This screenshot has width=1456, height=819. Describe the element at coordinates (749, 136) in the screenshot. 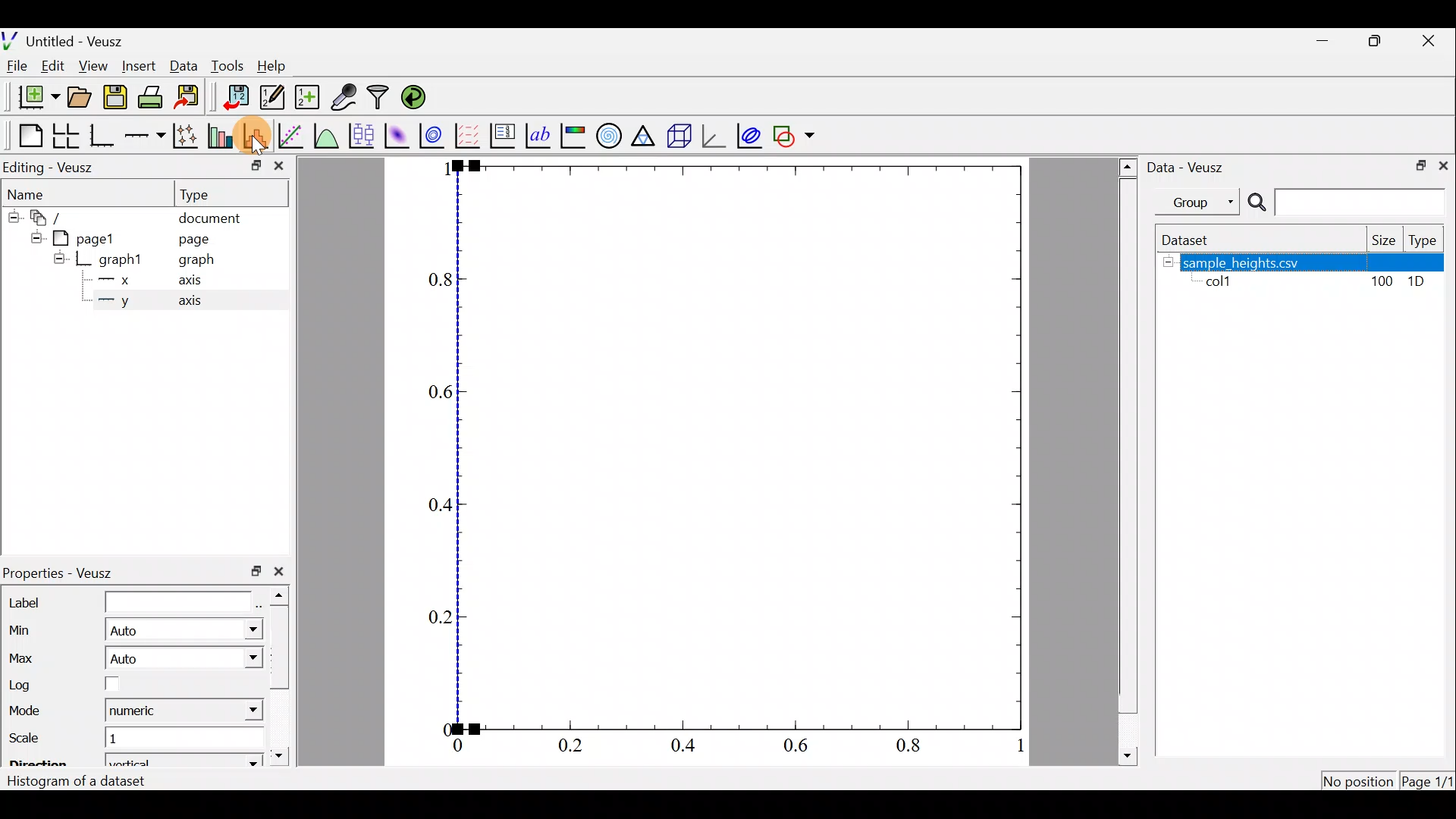

I see `plot covariance ellipses` at that location.